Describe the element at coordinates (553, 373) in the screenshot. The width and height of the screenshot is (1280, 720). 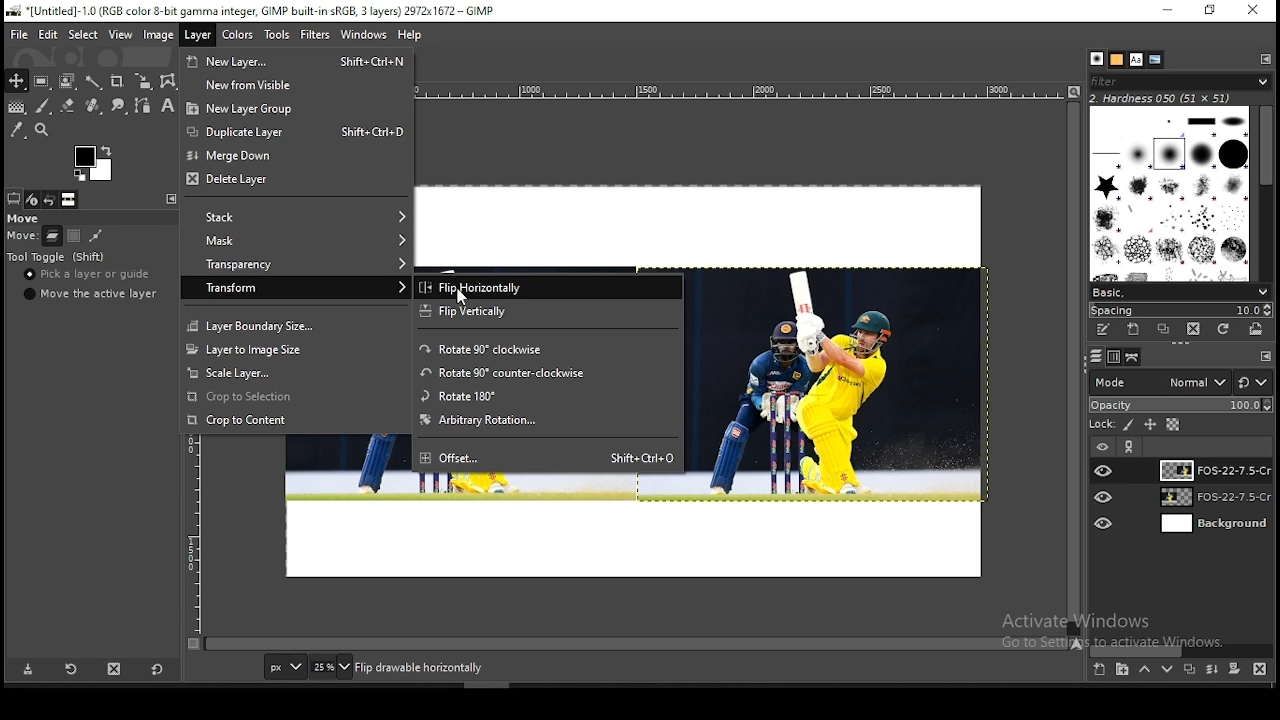
I see `rotate 90 counter clockwise` at that location.